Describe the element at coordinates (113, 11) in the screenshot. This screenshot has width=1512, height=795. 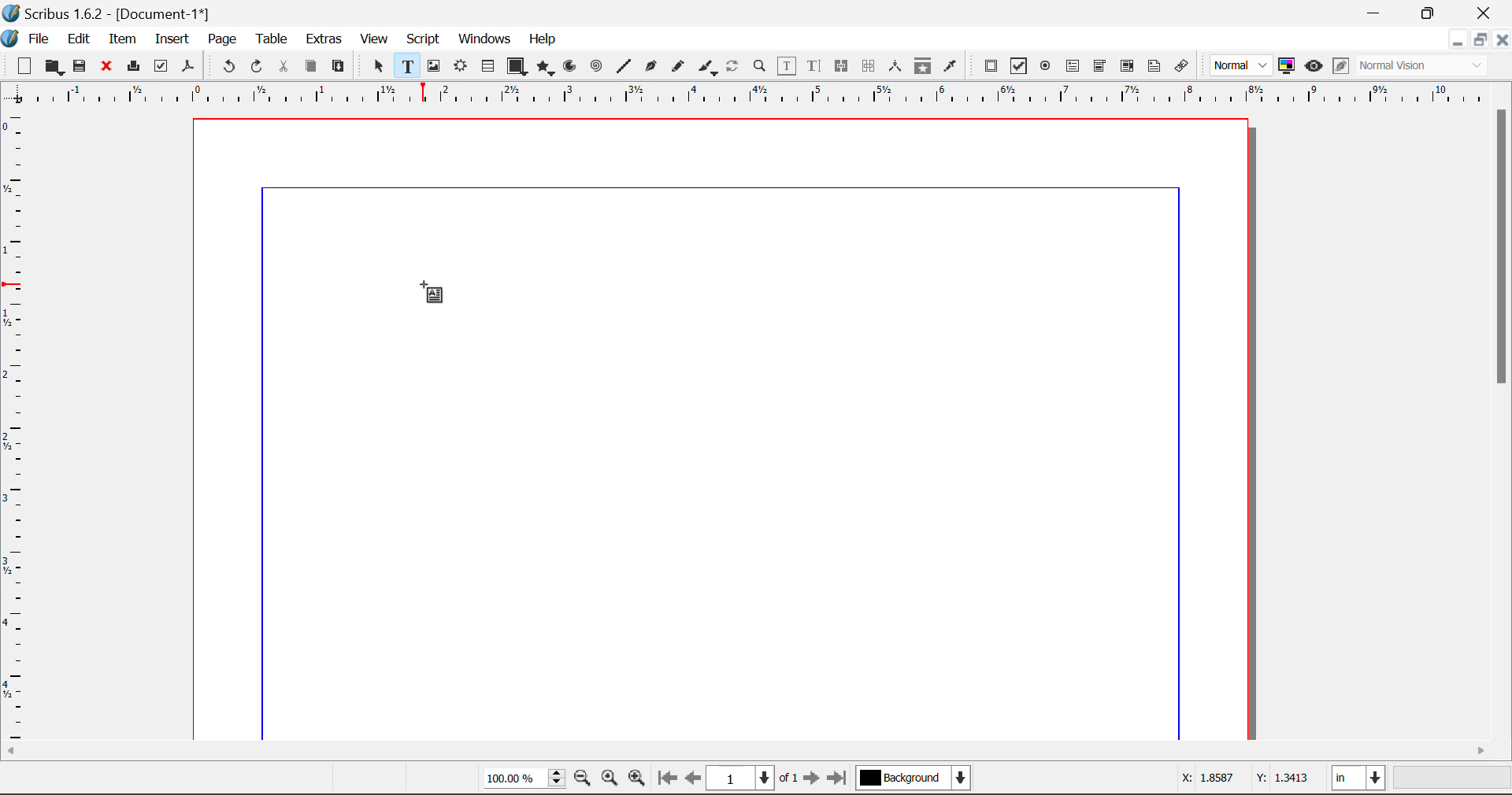
I see `Scribus 1.62 - [Document-1*]` at that location.